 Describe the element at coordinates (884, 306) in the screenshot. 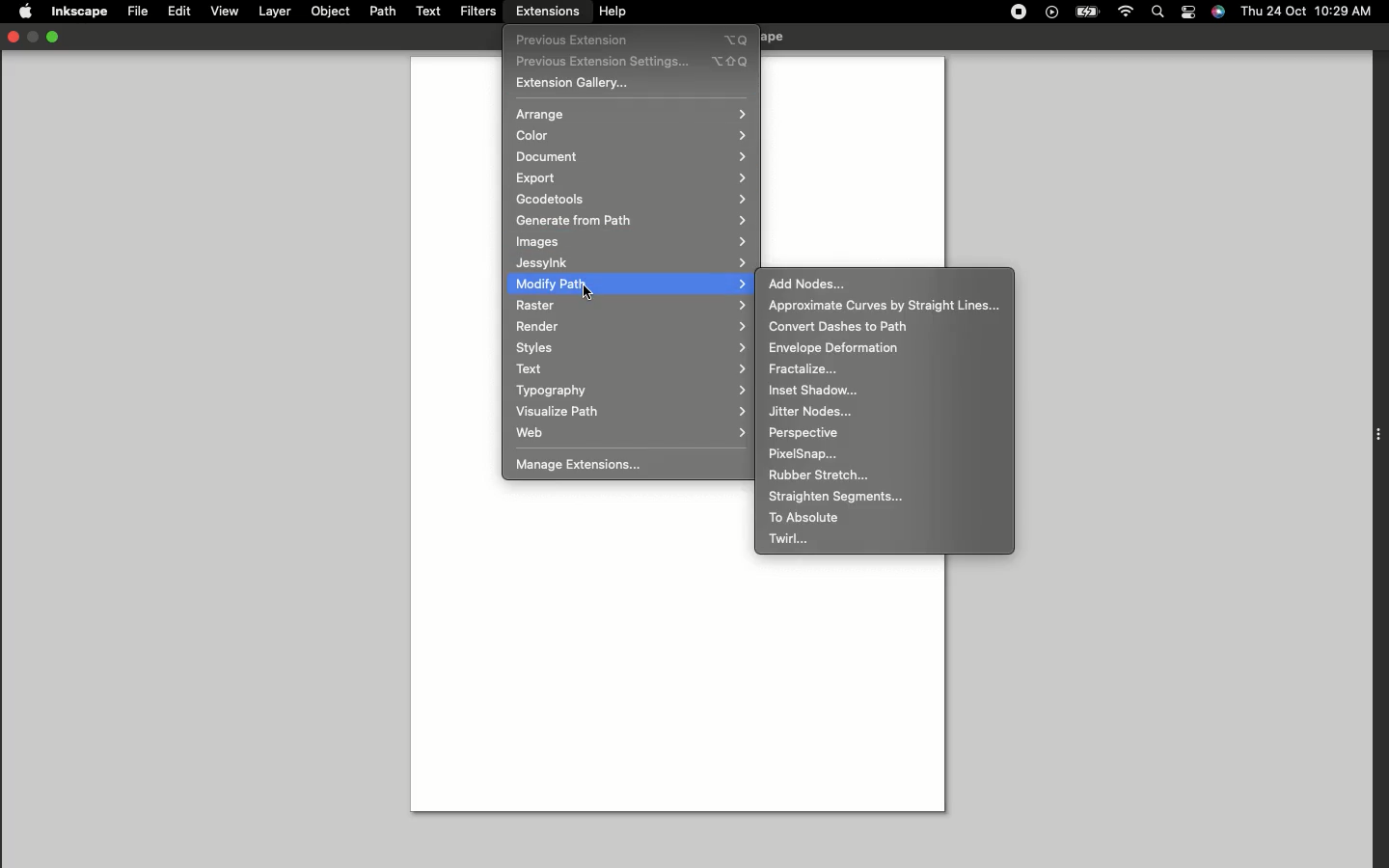

I see `Approximate curves by straight lines` at that location.